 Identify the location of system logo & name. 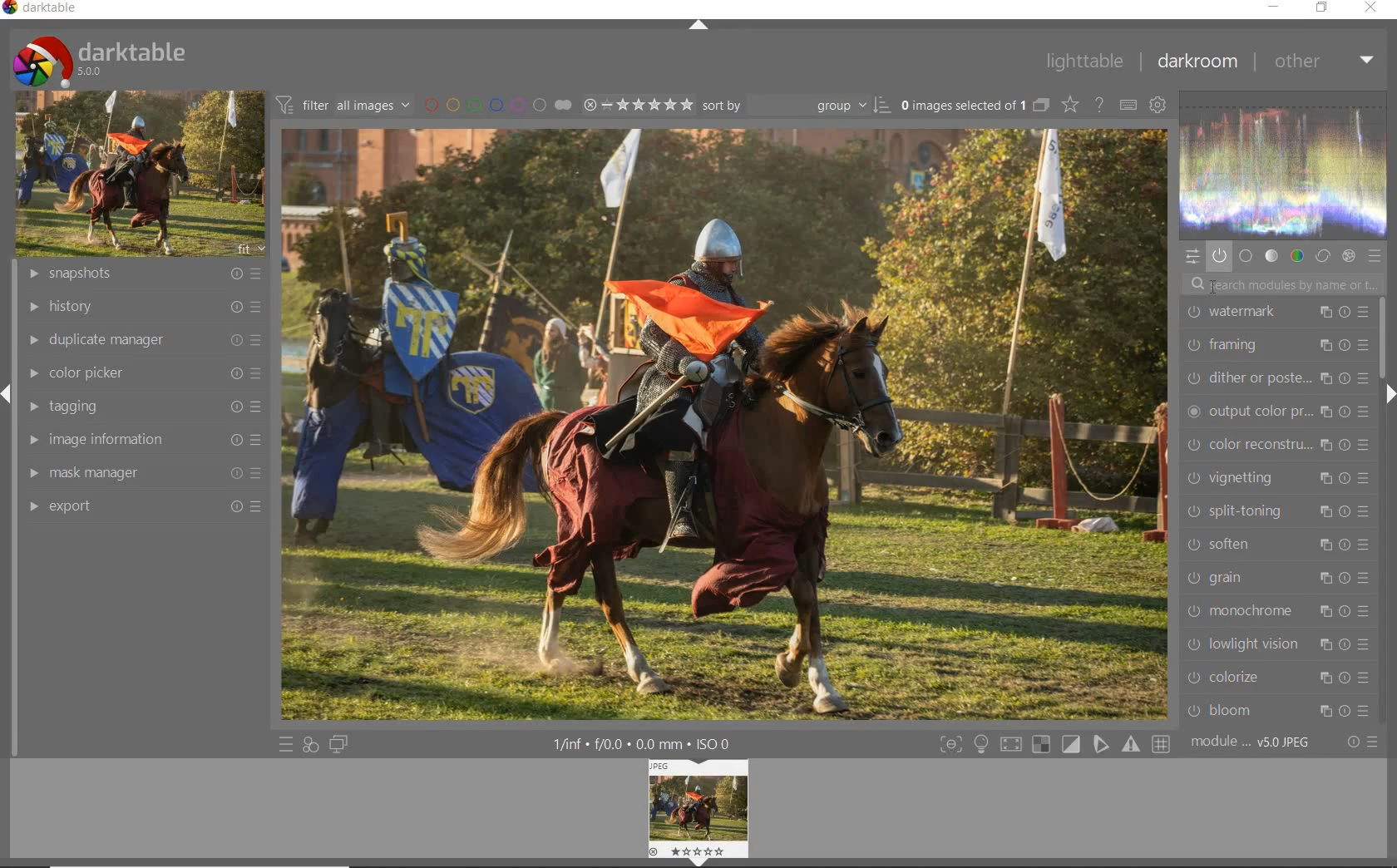
(99, 60).